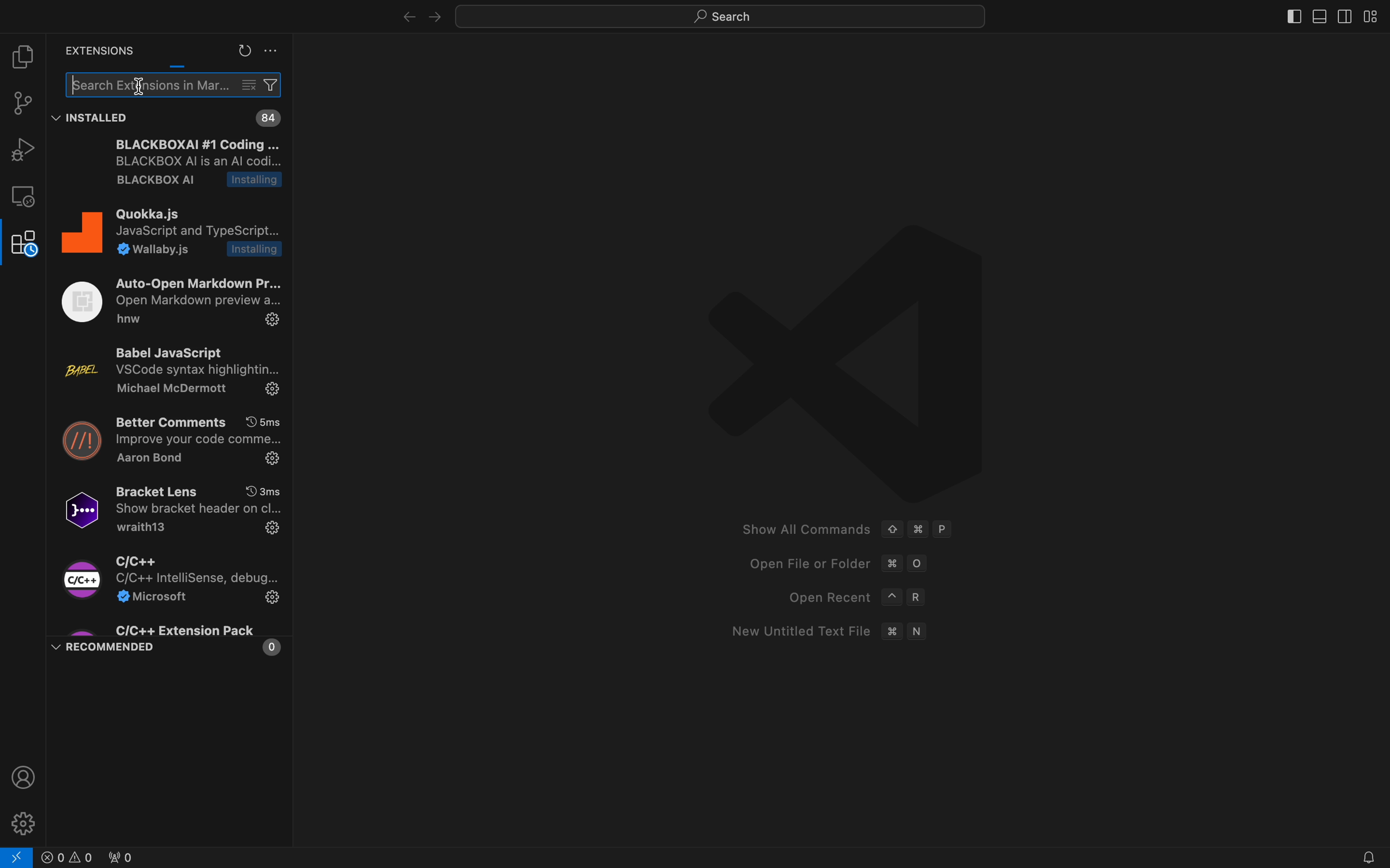  What do you see at coordinates (1349, 14) in the screenshot?
I see `toggle secondary bar` at bounding box center [1349, 14].